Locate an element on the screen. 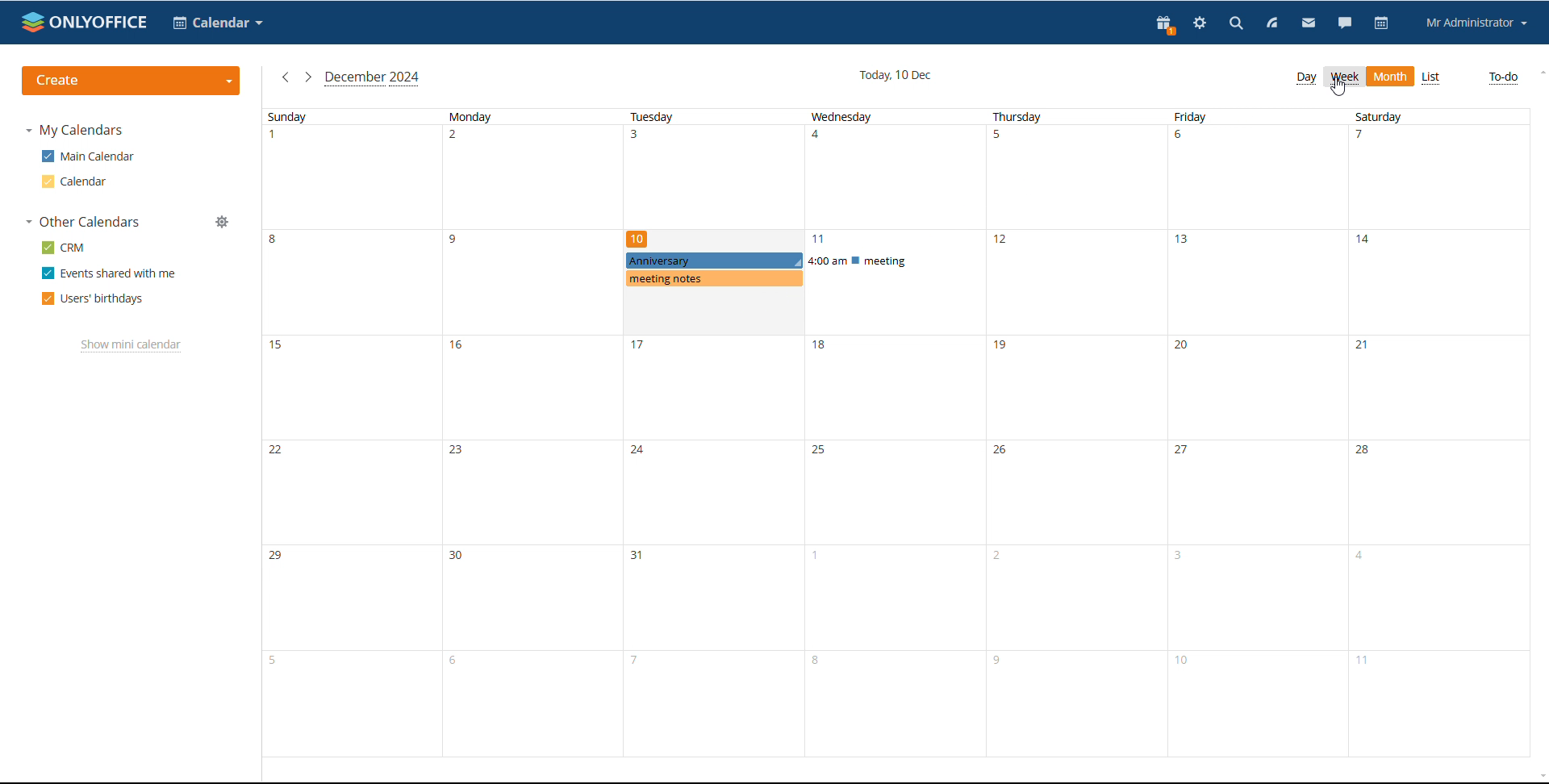 Image resolution: width=1549 pixels, height=784 pixels. crm is located at coordinates (64, 248).